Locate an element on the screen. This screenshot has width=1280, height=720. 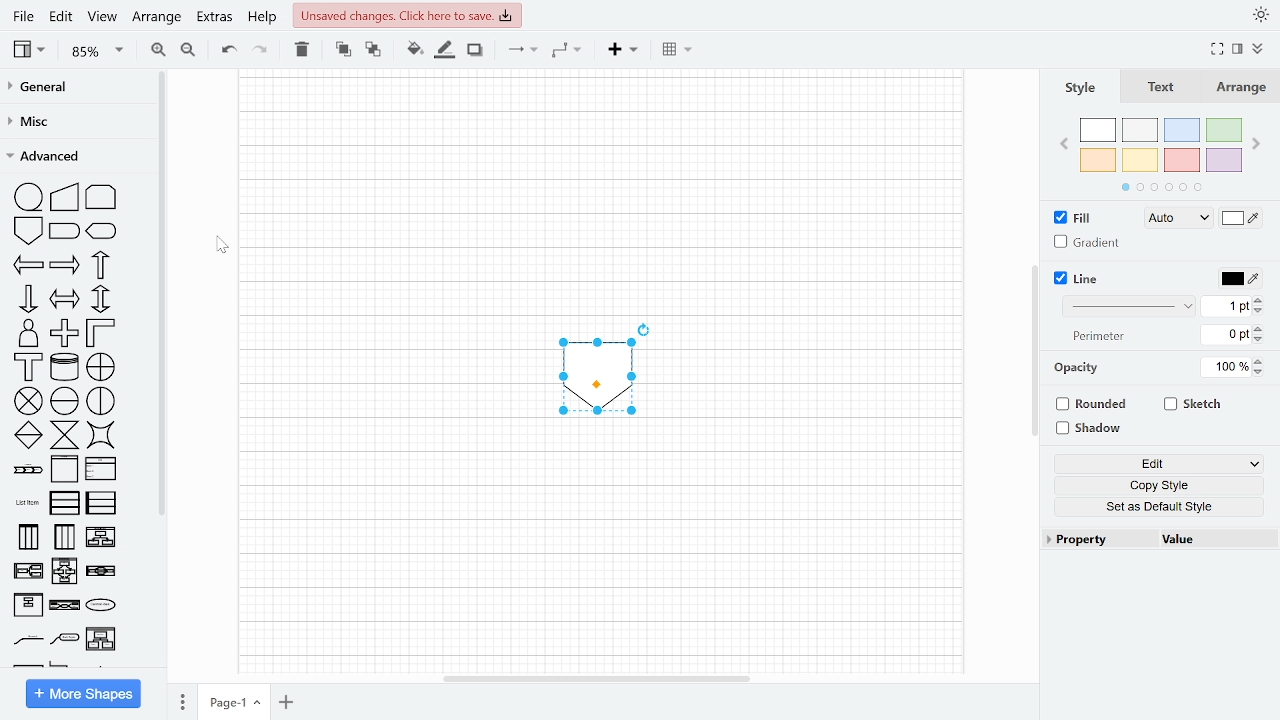
View is located at coordinates (32, 49).